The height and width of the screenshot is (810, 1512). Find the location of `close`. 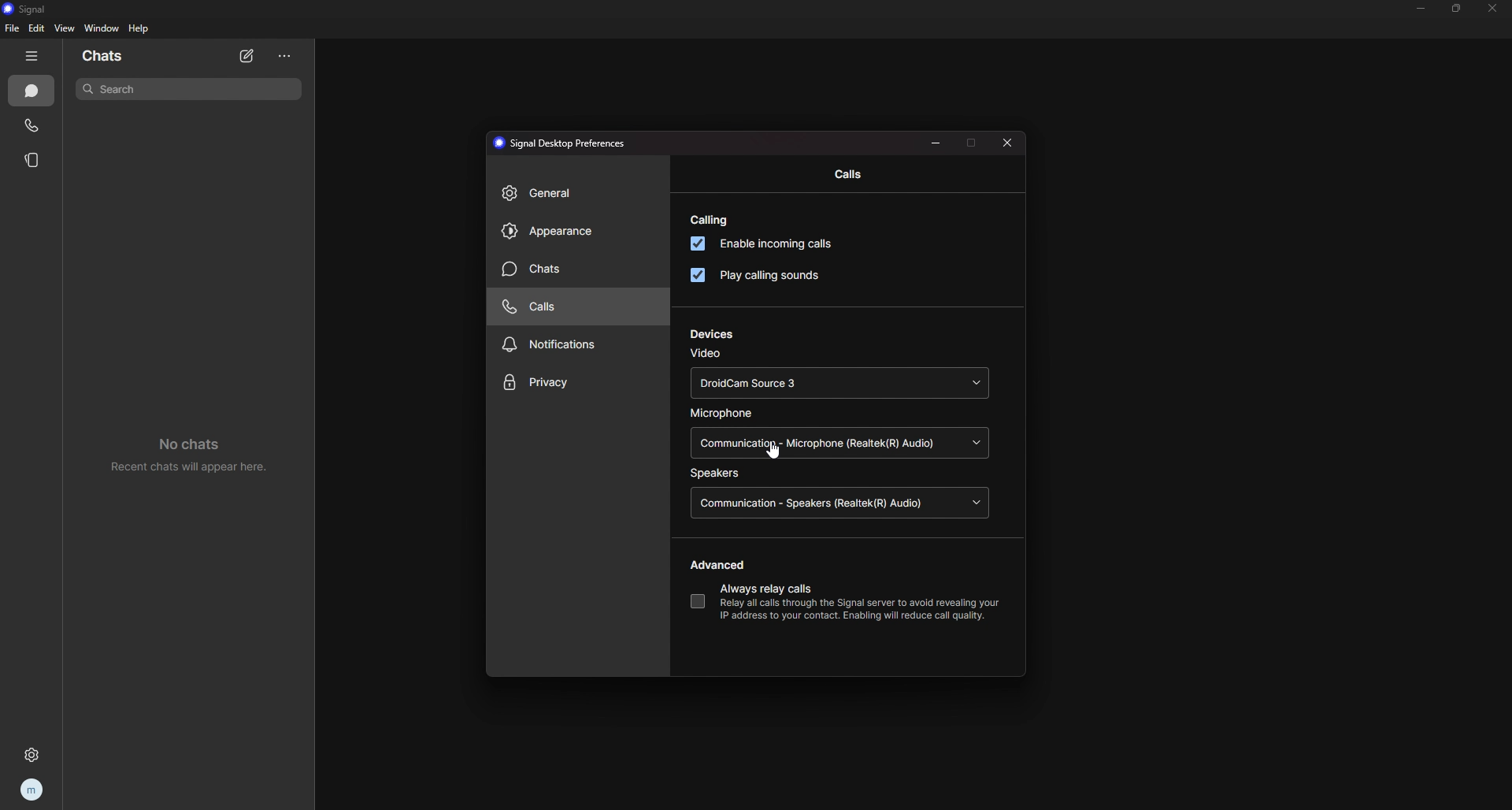

close is located at coordinates (1007, 143).